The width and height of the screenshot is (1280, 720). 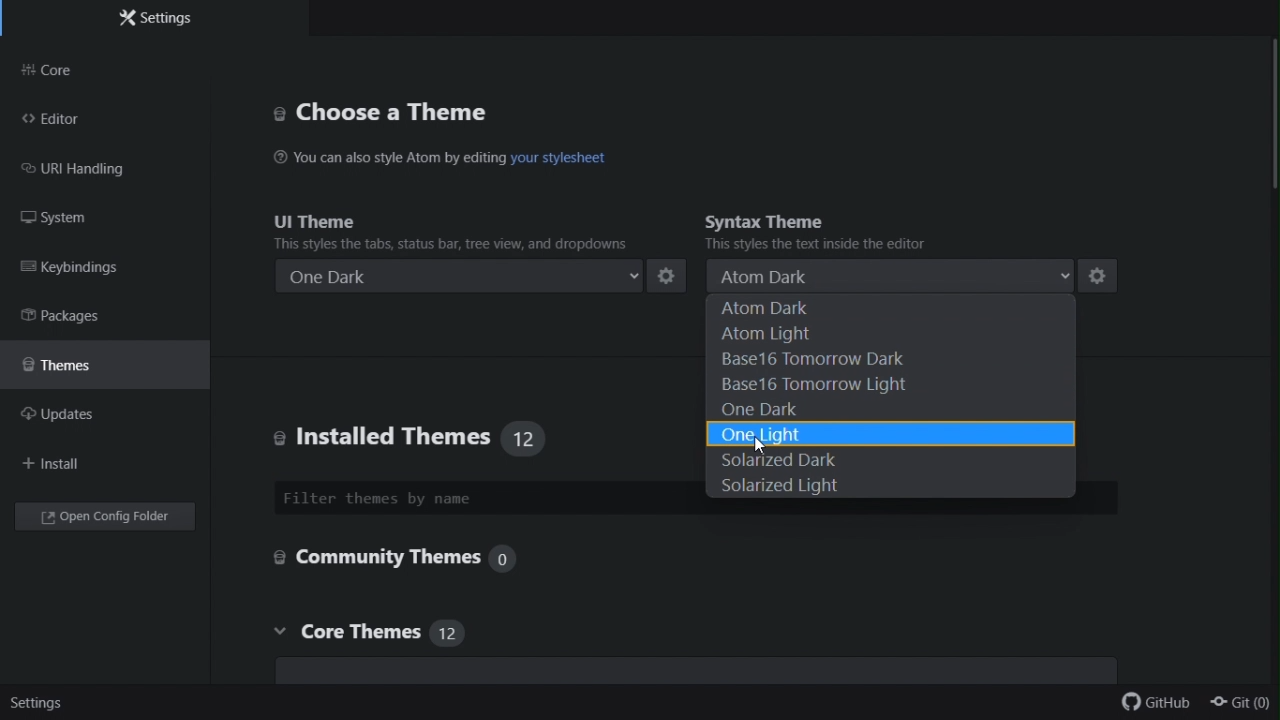 I want to click on github, so click(x=1151, y=701).